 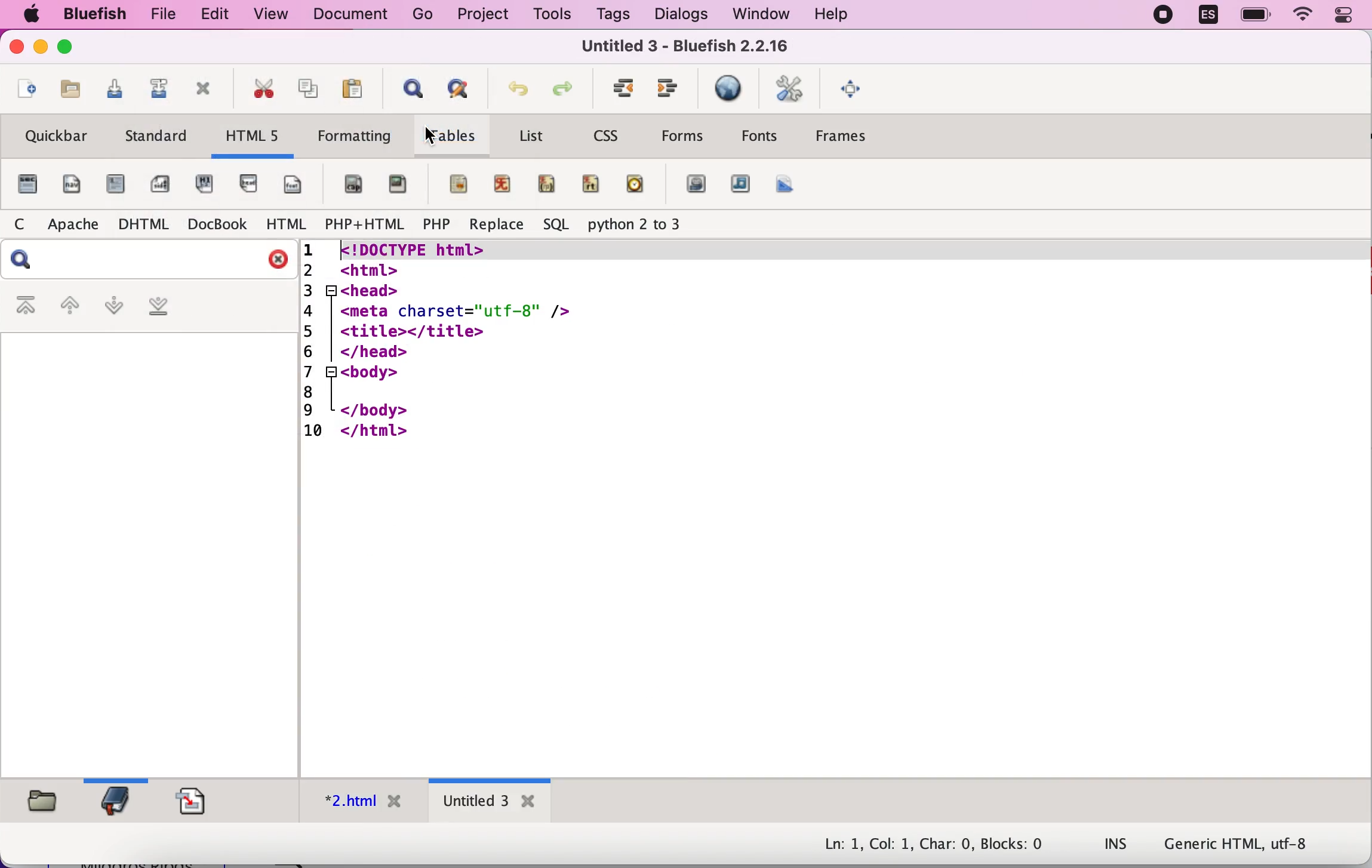 I want to click on document, so click(x=346, y=14).